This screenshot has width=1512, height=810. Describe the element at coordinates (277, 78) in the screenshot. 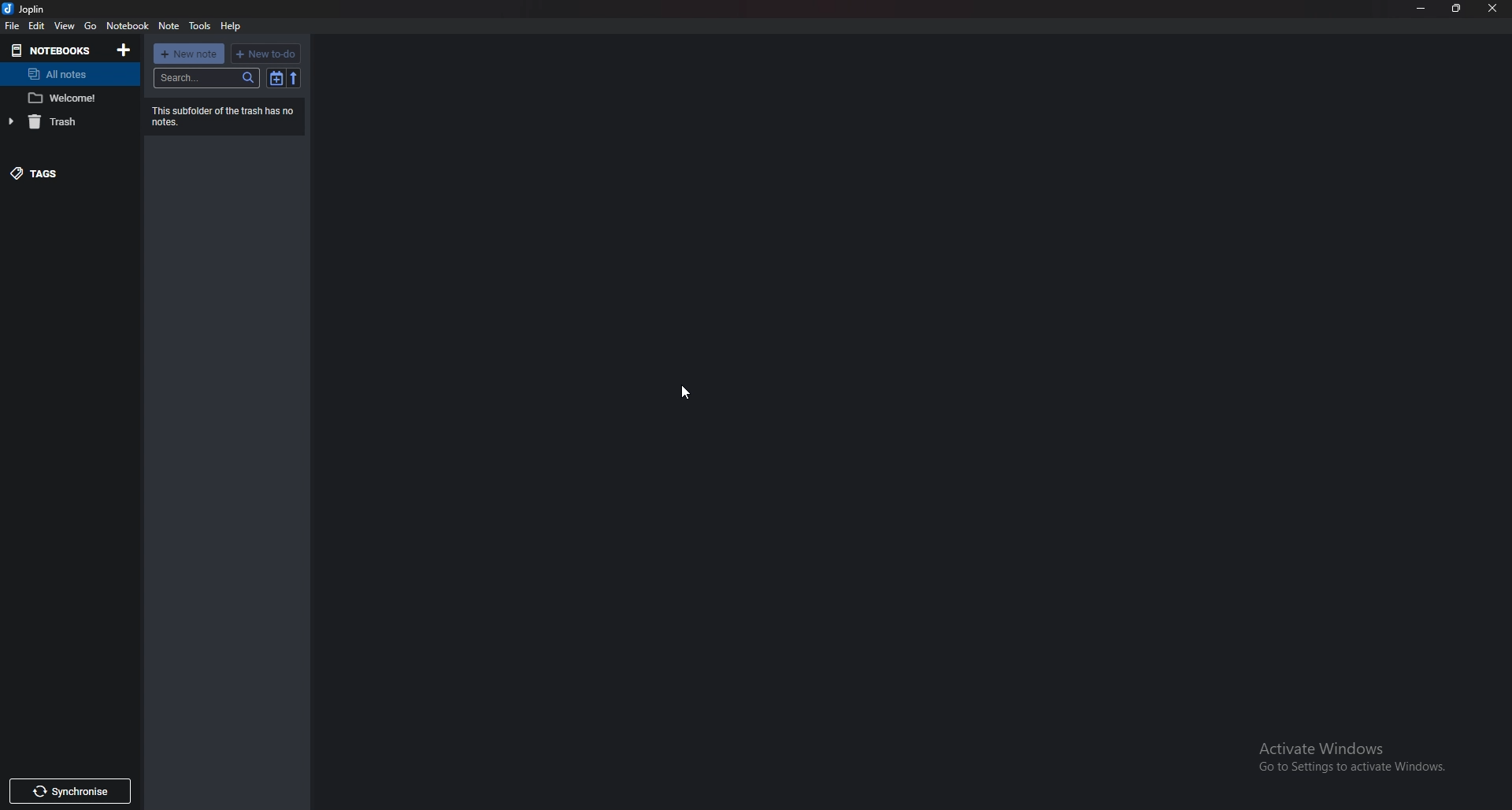

I see `toggle sort` at that location.